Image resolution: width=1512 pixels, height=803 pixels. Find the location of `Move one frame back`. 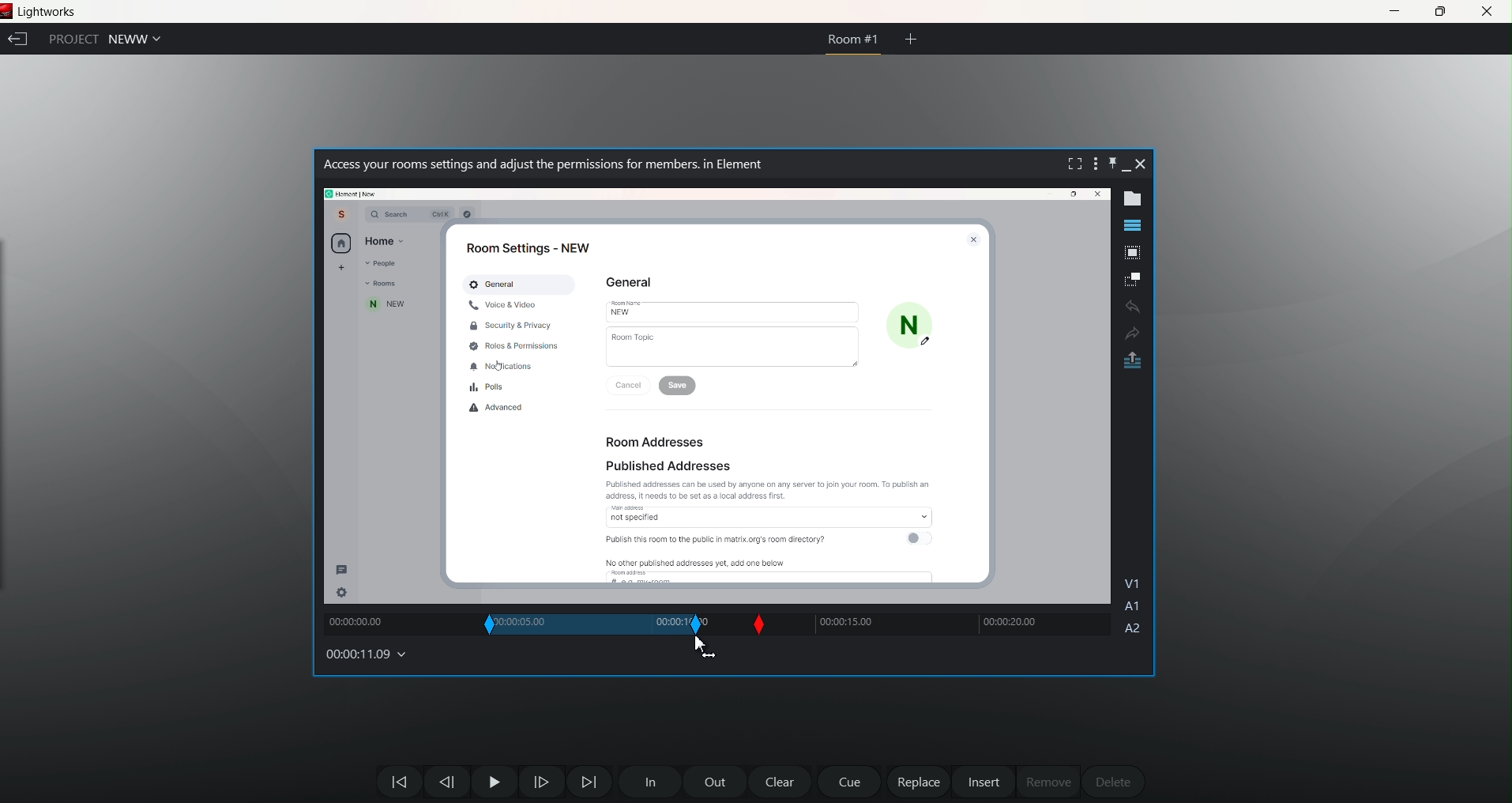

Move one frame back is located at coordinates (444, 782).